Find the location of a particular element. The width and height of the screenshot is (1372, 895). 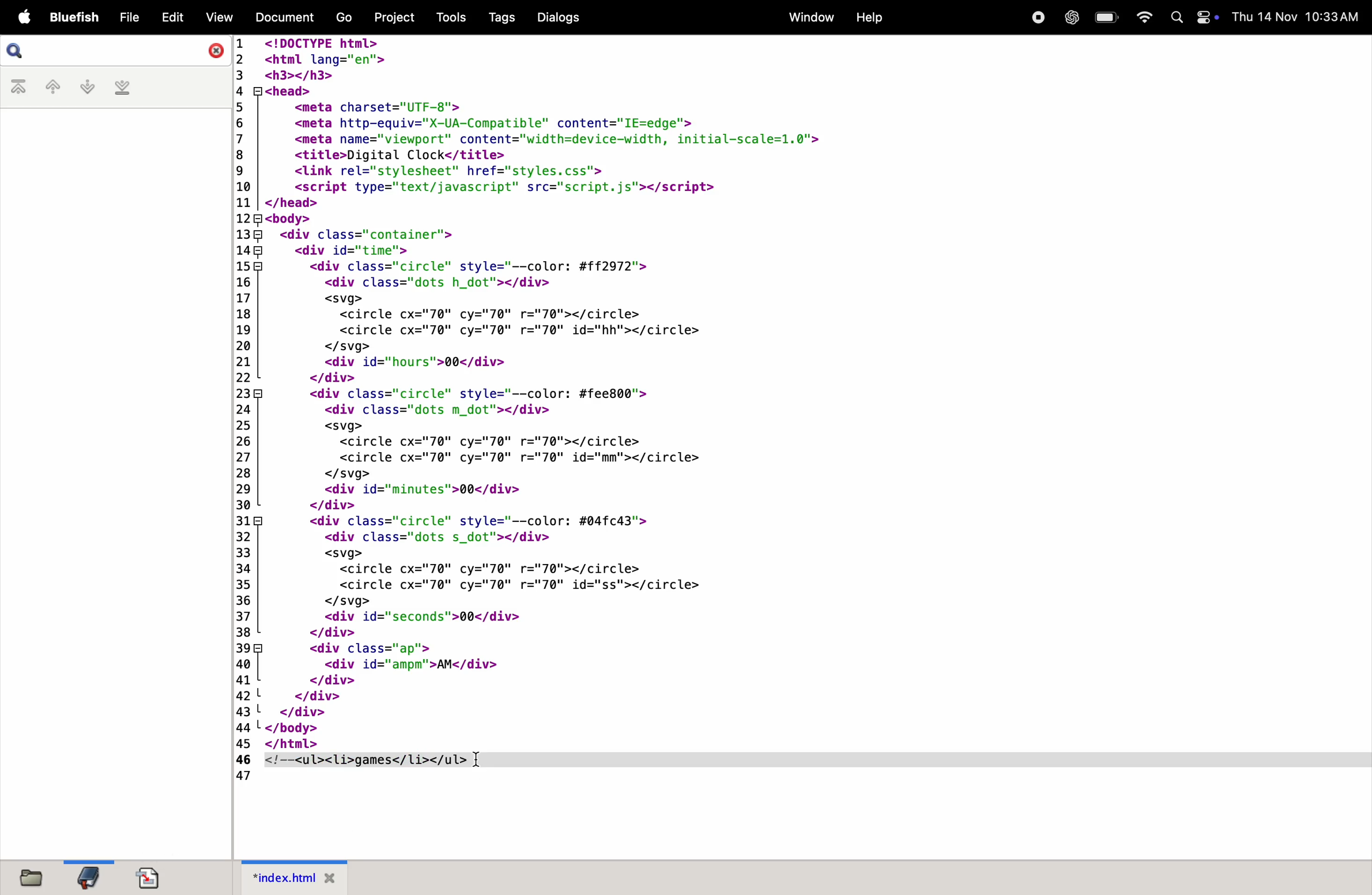

Date and time is located at coordinates (1297, 16).